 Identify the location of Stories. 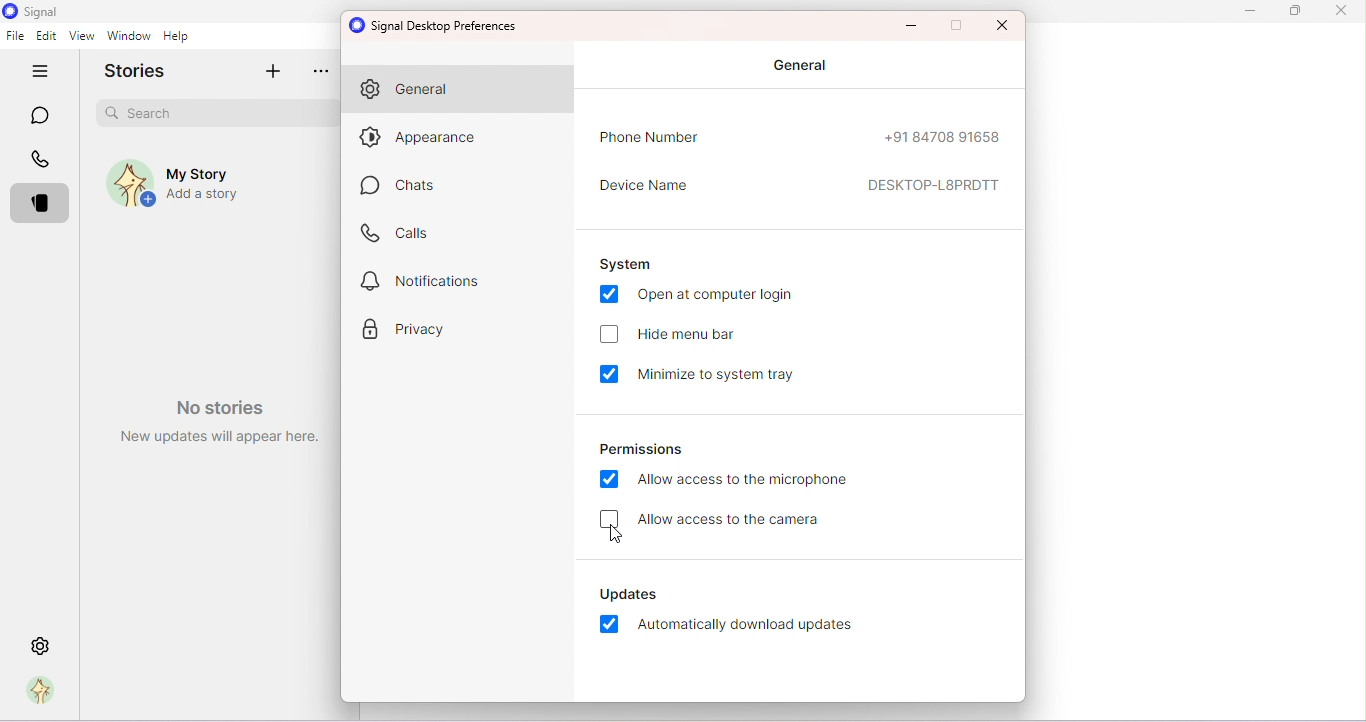
(149, 71).